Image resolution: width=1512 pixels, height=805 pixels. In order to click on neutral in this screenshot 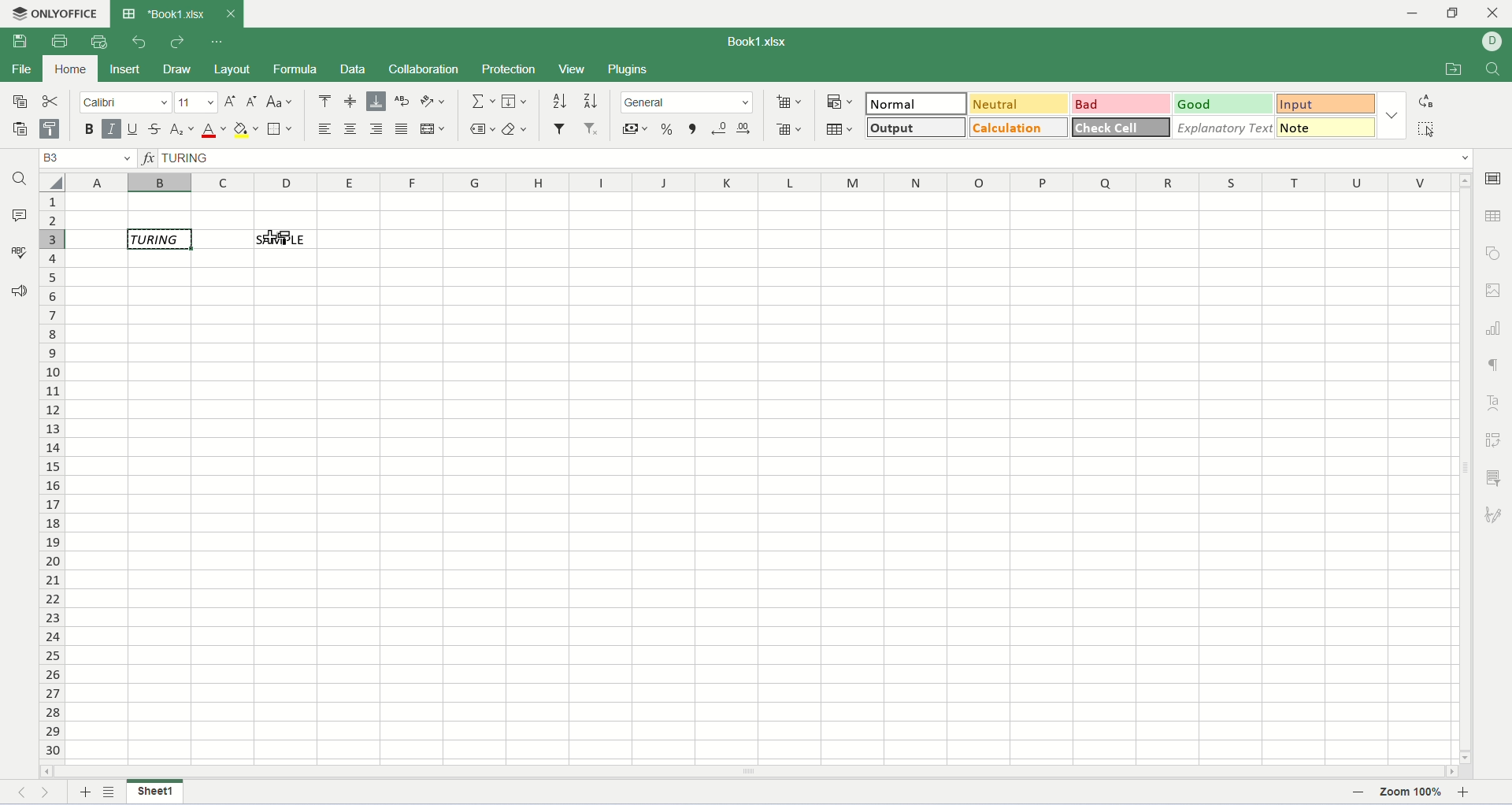, I will do `click(1017, 103)`.